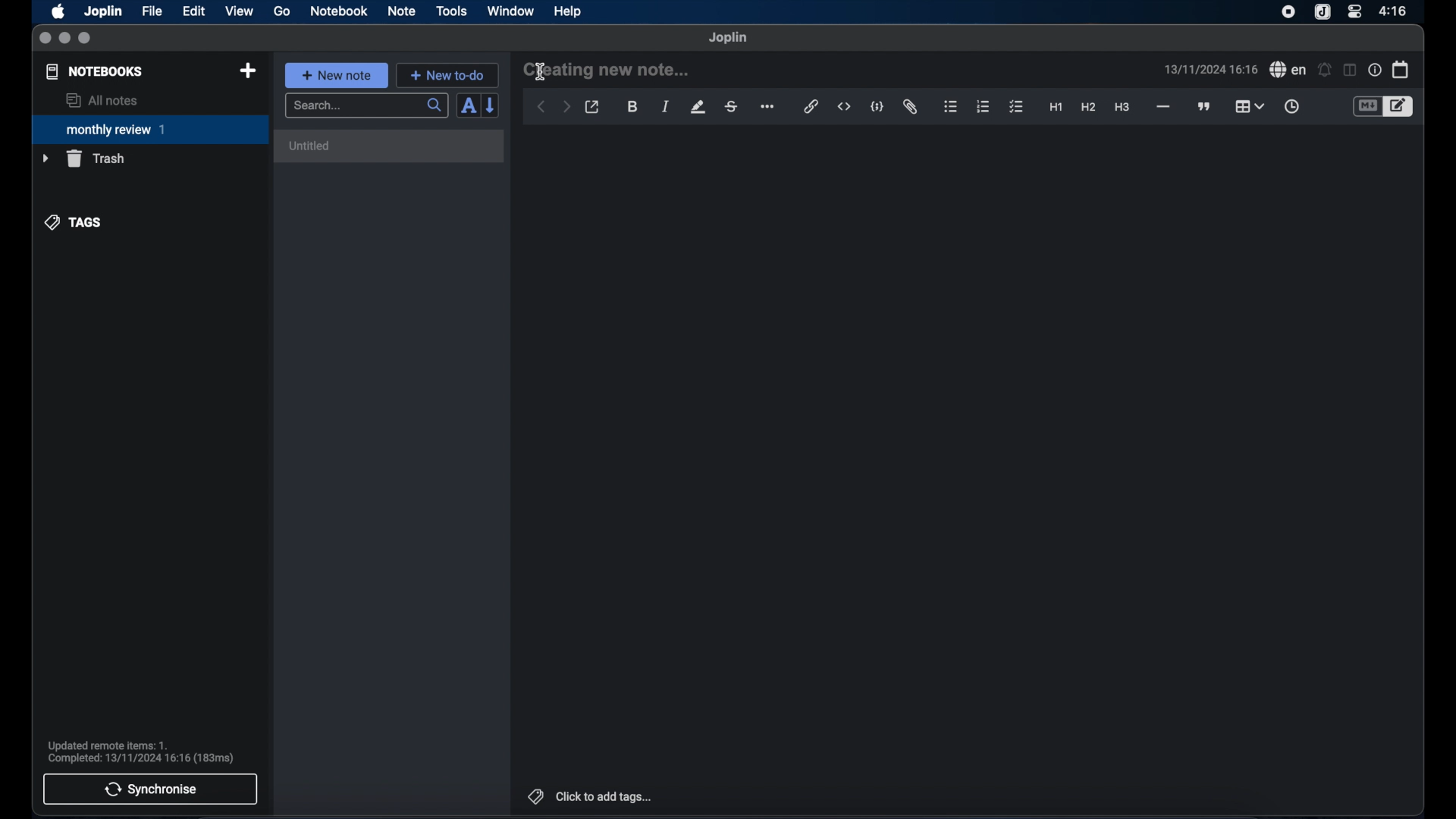 This screenshot has height=819, width=1456. What do you see at coordinates (730, 107) in the screenshot?
I see `strikethrough` at bounding box center [730, 107].